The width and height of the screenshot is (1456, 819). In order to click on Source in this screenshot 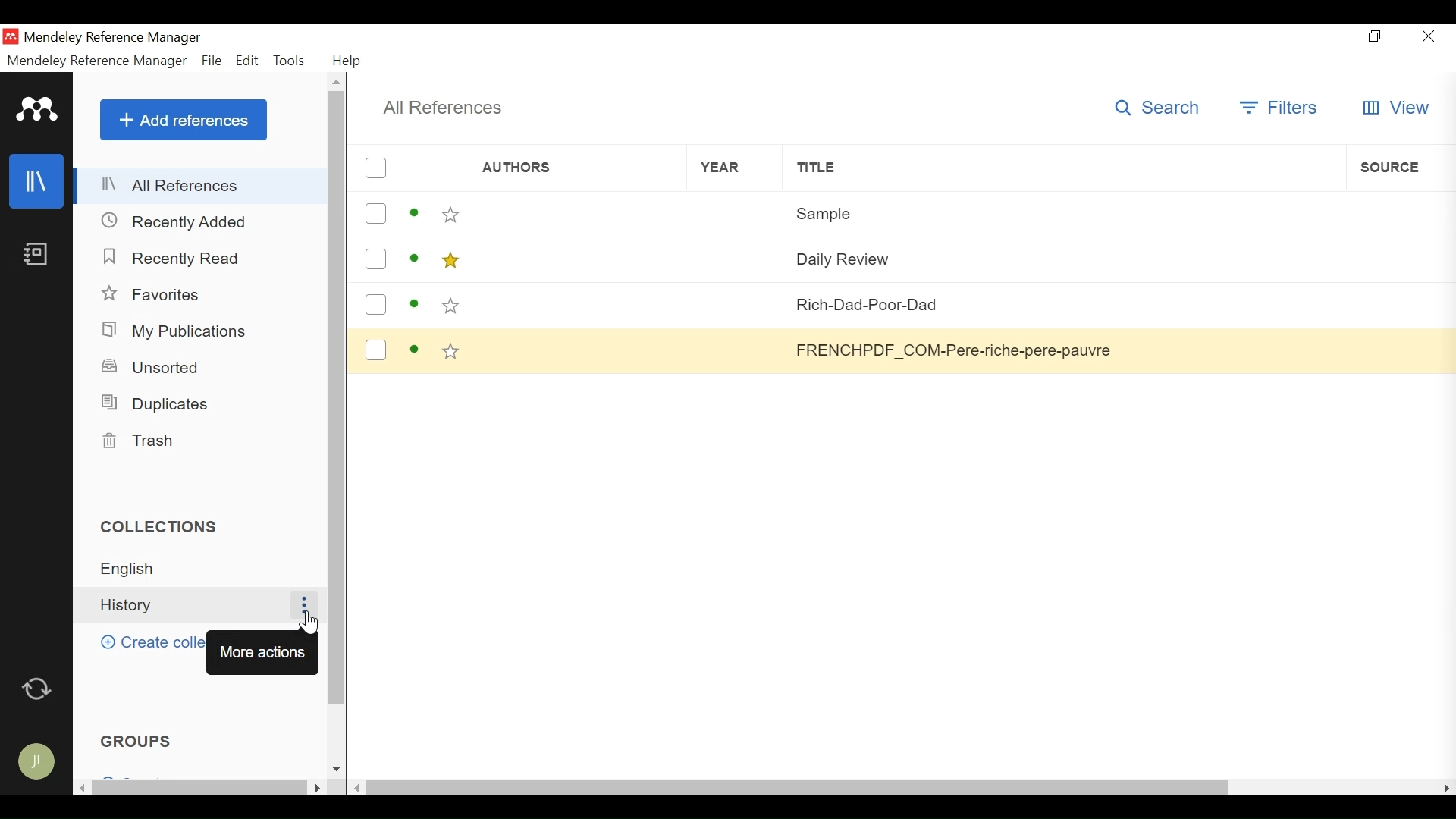, I will do `click(1395, 350)`.